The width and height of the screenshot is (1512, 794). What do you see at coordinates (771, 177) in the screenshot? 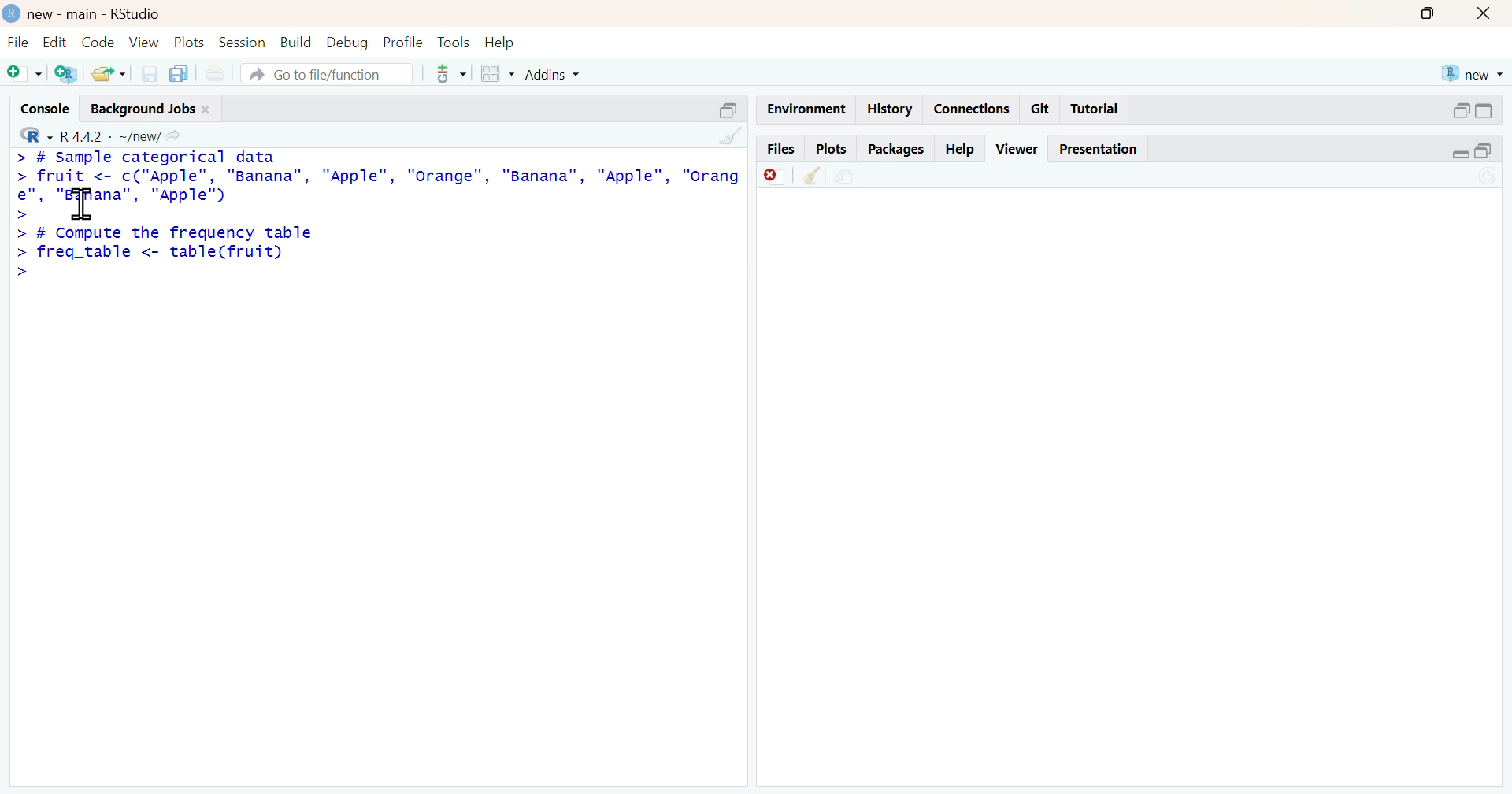
I see `remove current viewer` at bounding box center [771, 177].